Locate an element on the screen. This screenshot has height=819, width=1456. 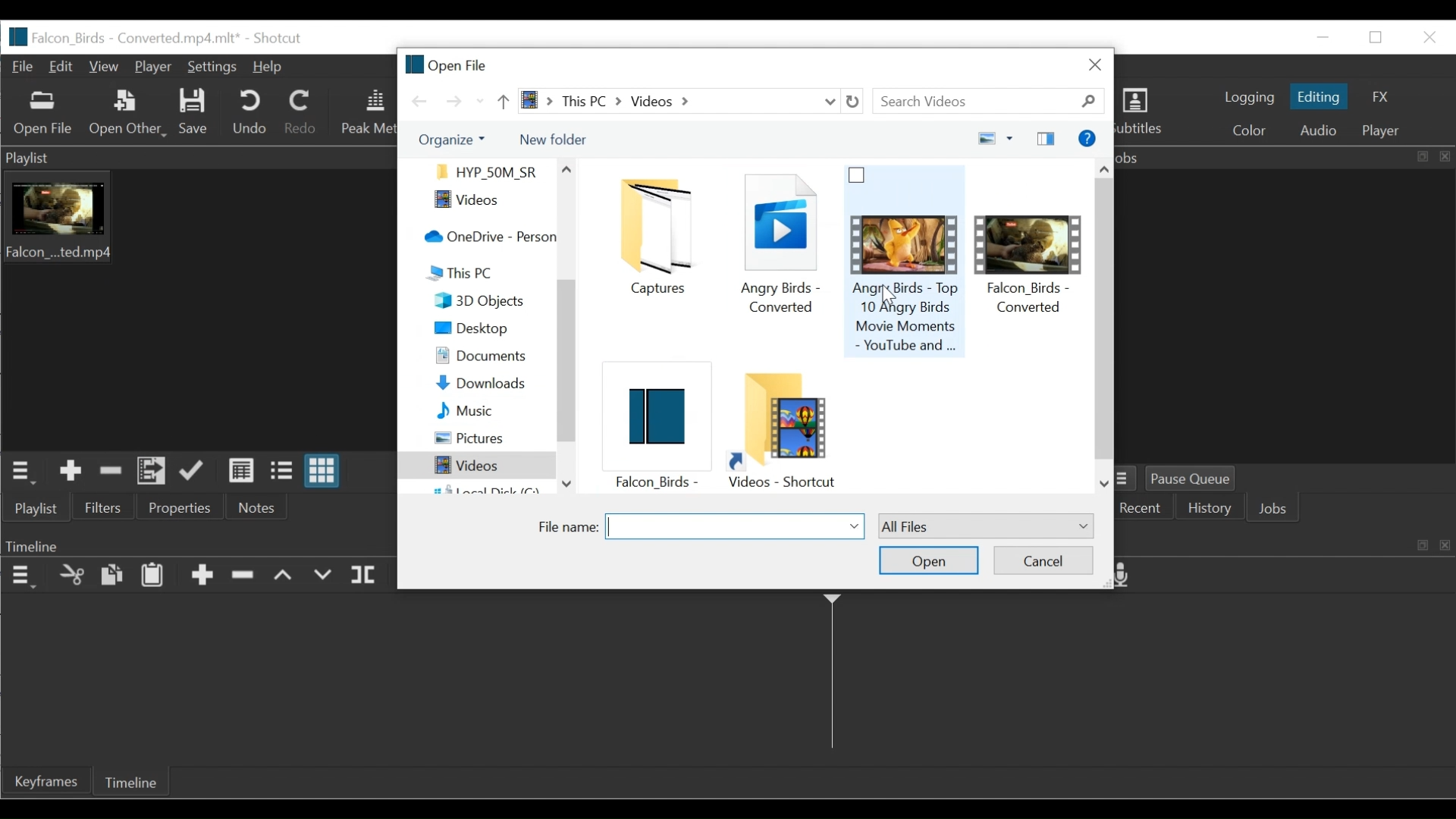
Jobs Panel is located at coordinates (1289, 315).